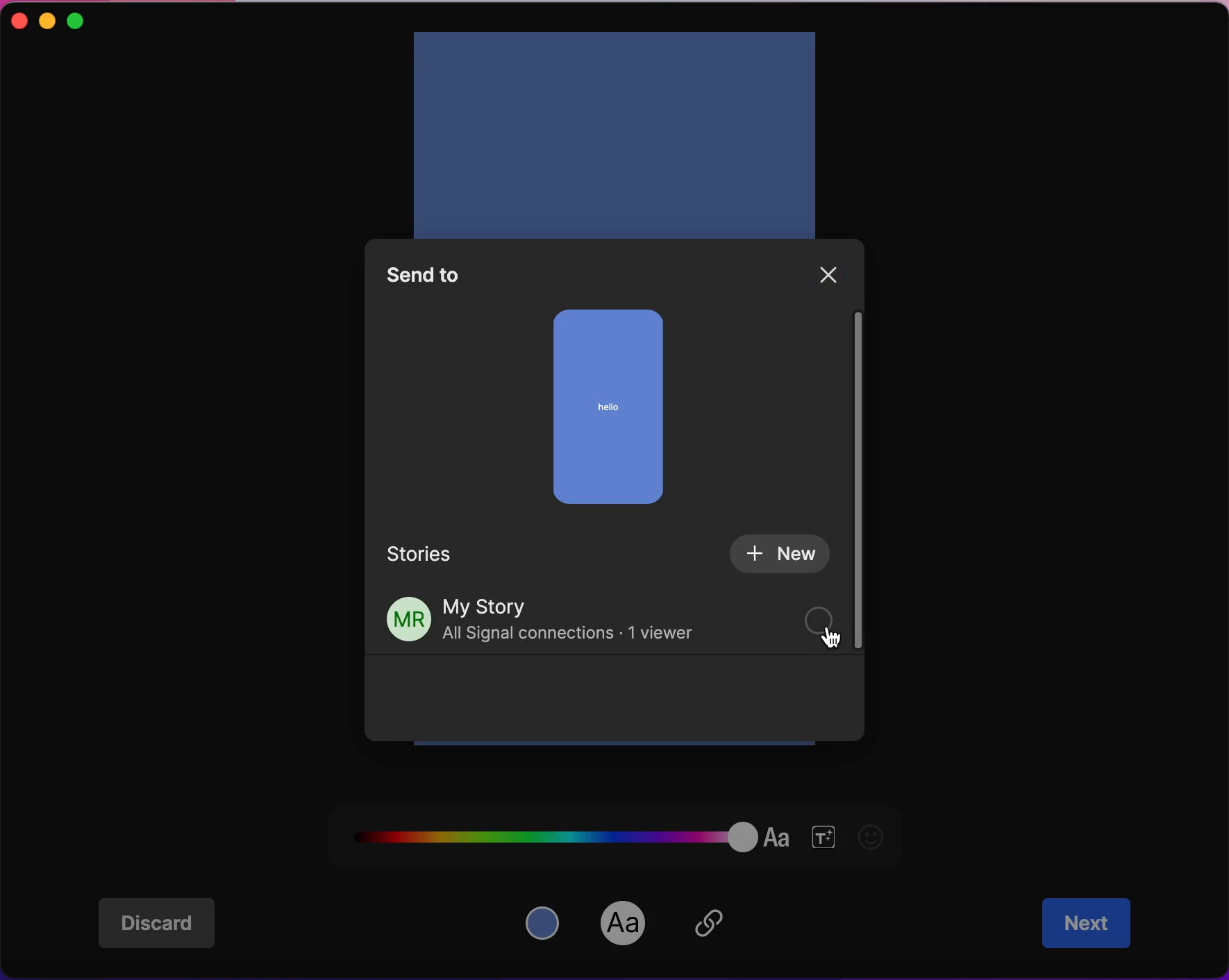 Image resolution: width=1229 pixels, height=980 pixels. What do you see at coordinates (406, 621) in the screenshot?
I see `profile picture` at bounding box center [406, 621].